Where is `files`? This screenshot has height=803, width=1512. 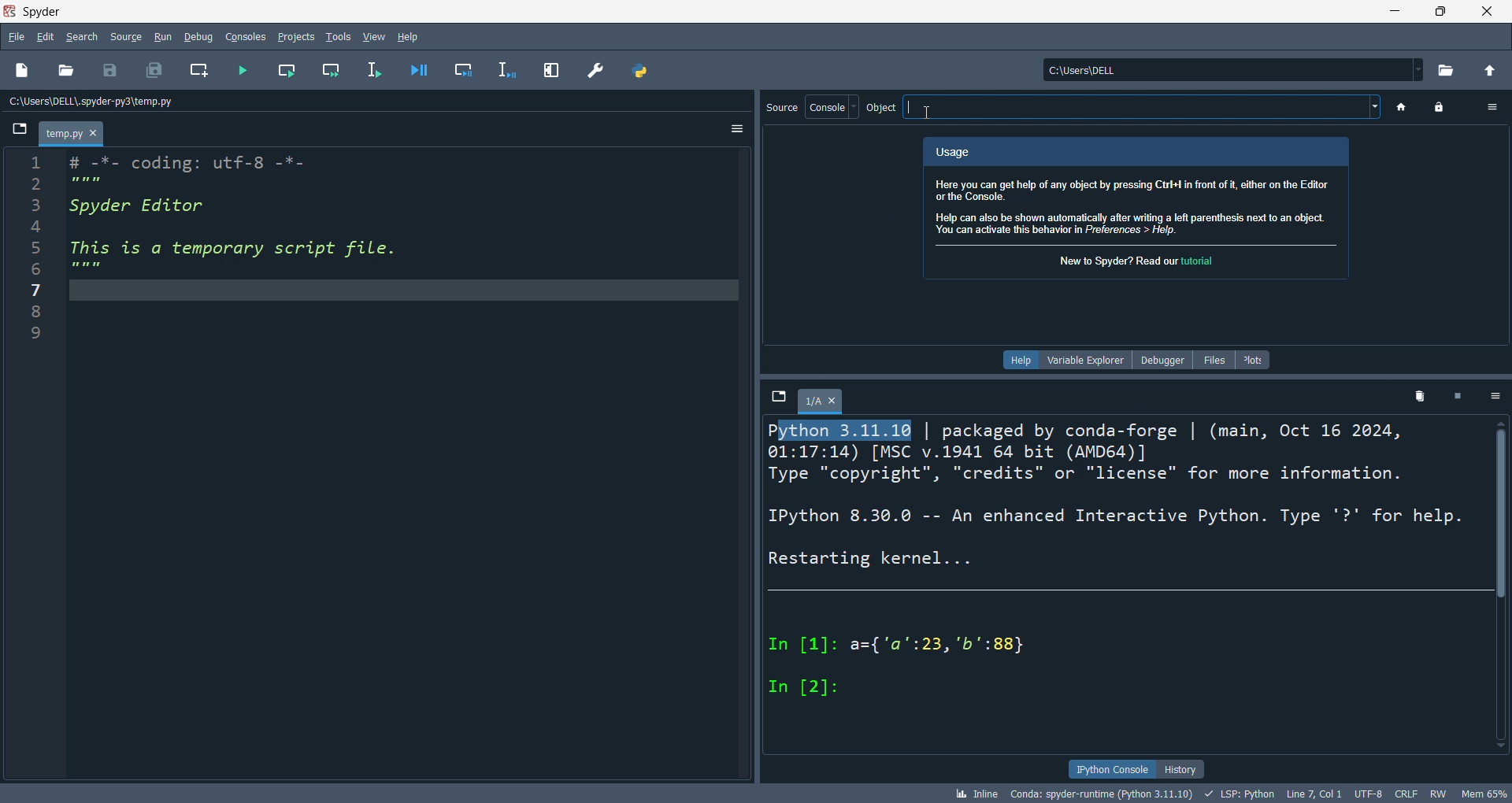
files is located at coordinates (1210, 358).